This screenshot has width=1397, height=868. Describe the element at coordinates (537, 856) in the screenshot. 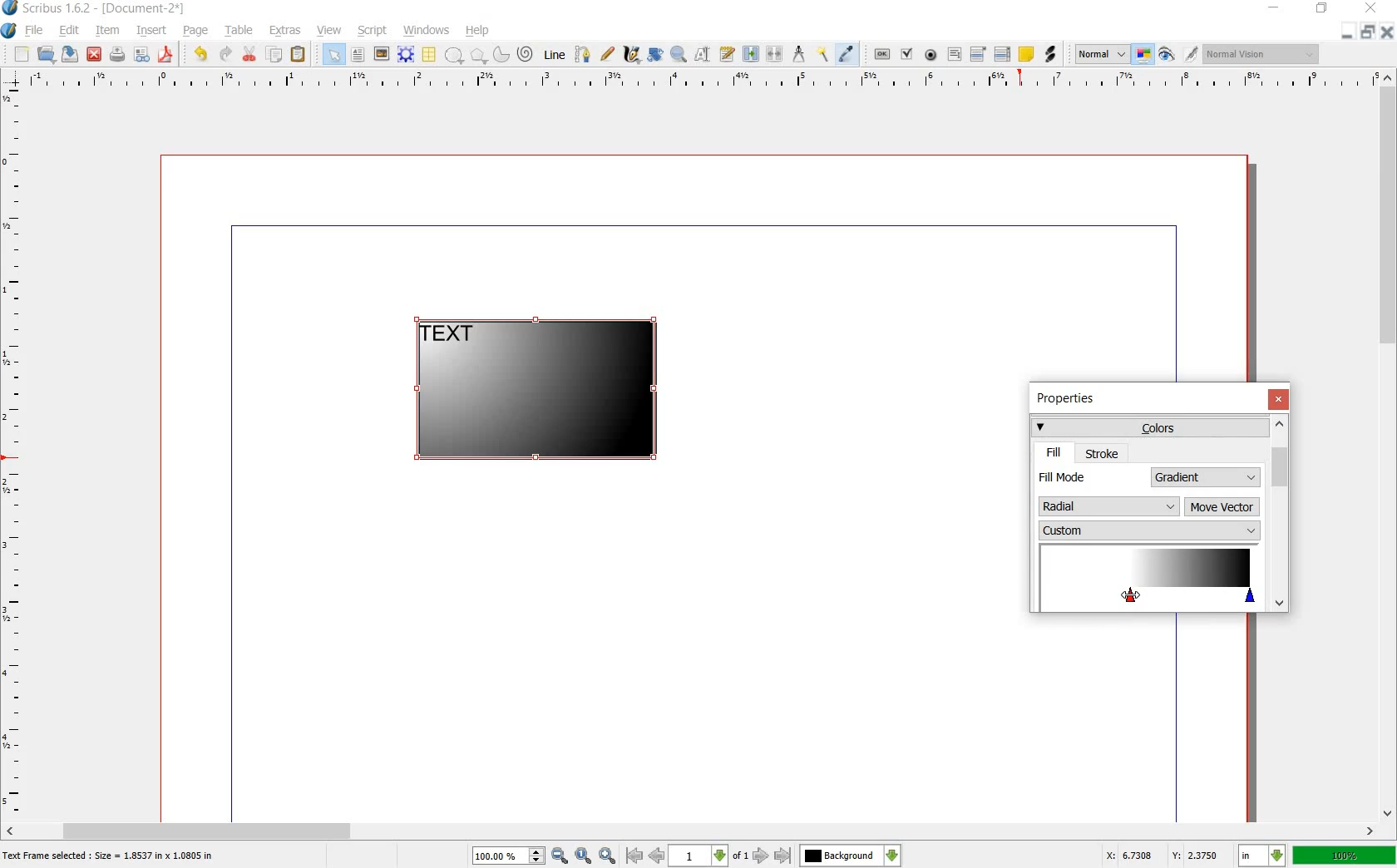

I see `Increase or decrease zoom value` at that location.